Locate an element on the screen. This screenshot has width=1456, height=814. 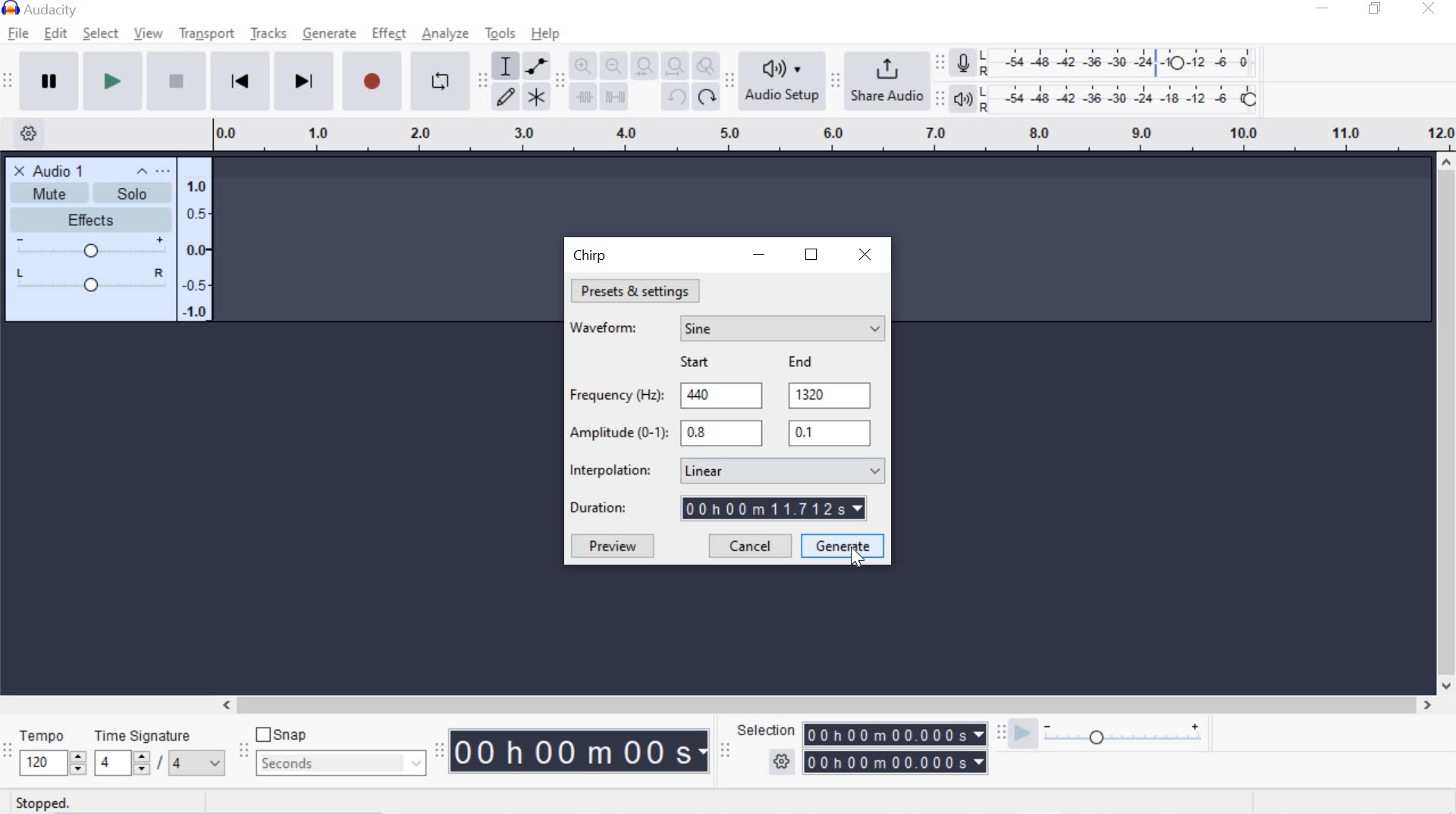
snap is located at coordinates (283, 735).